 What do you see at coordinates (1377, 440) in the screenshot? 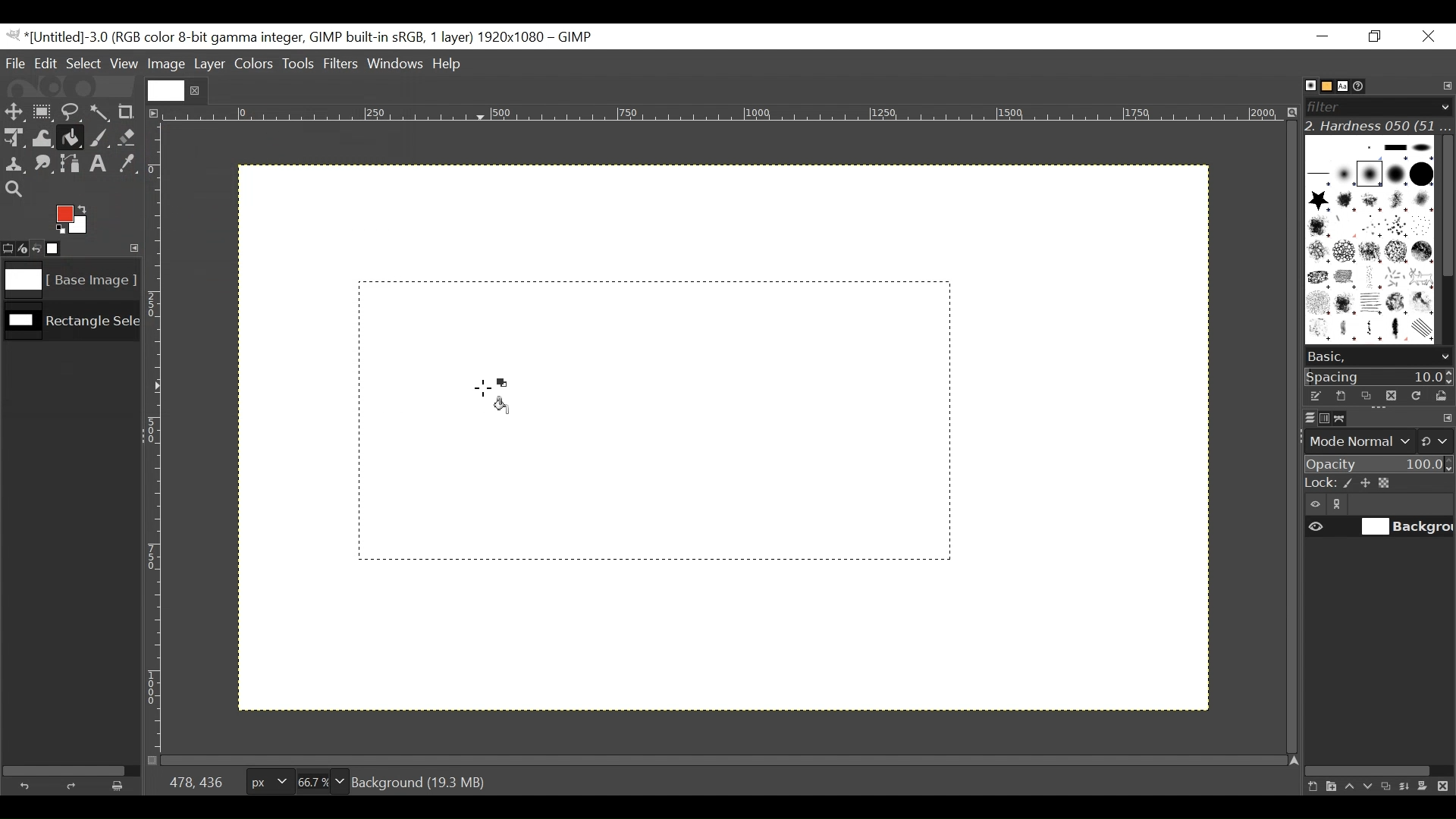
I see `mode normal` at bounding box center [1377, 440].